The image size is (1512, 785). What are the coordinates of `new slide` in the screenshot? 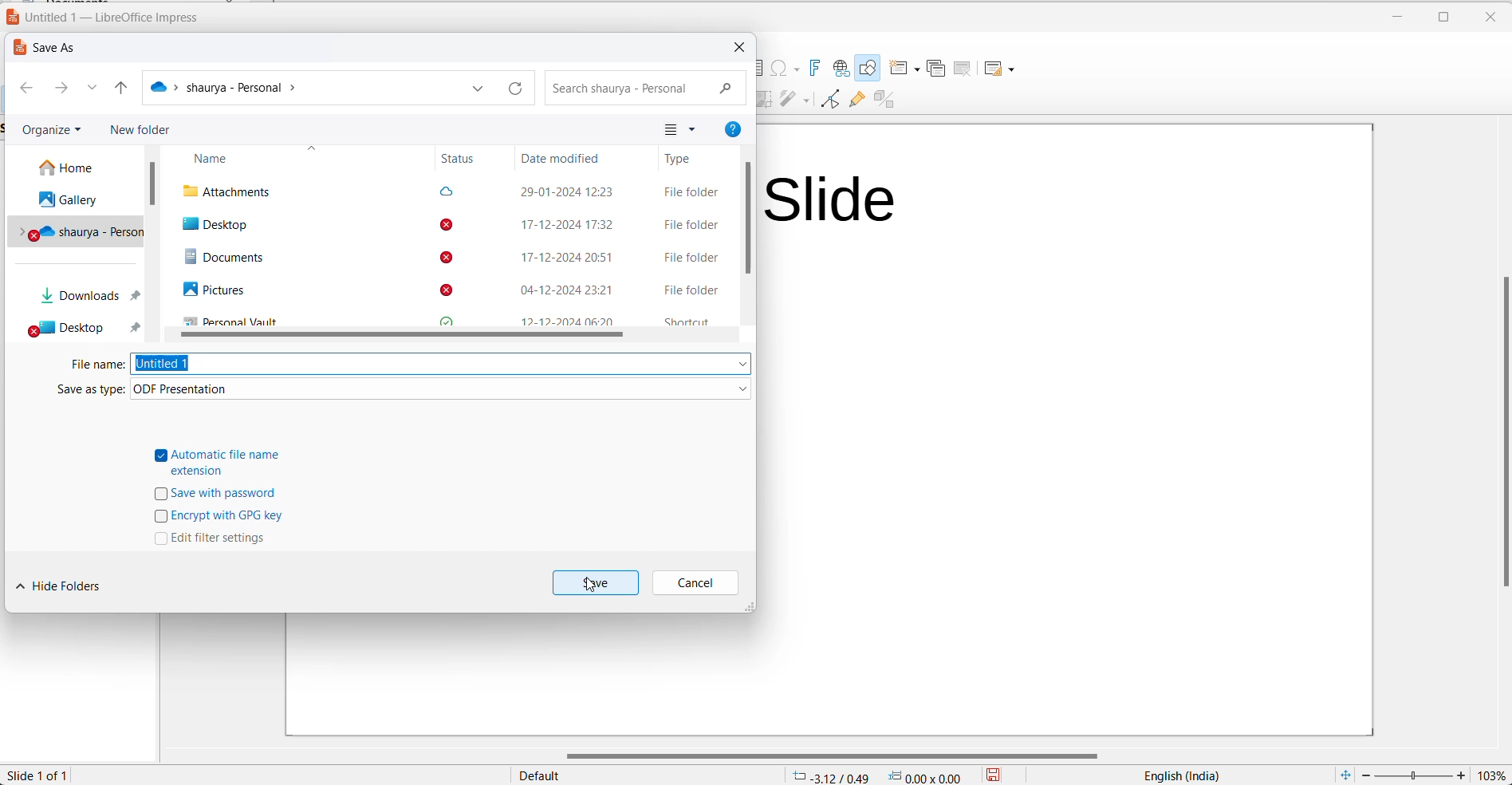 It's located at (902, 69).